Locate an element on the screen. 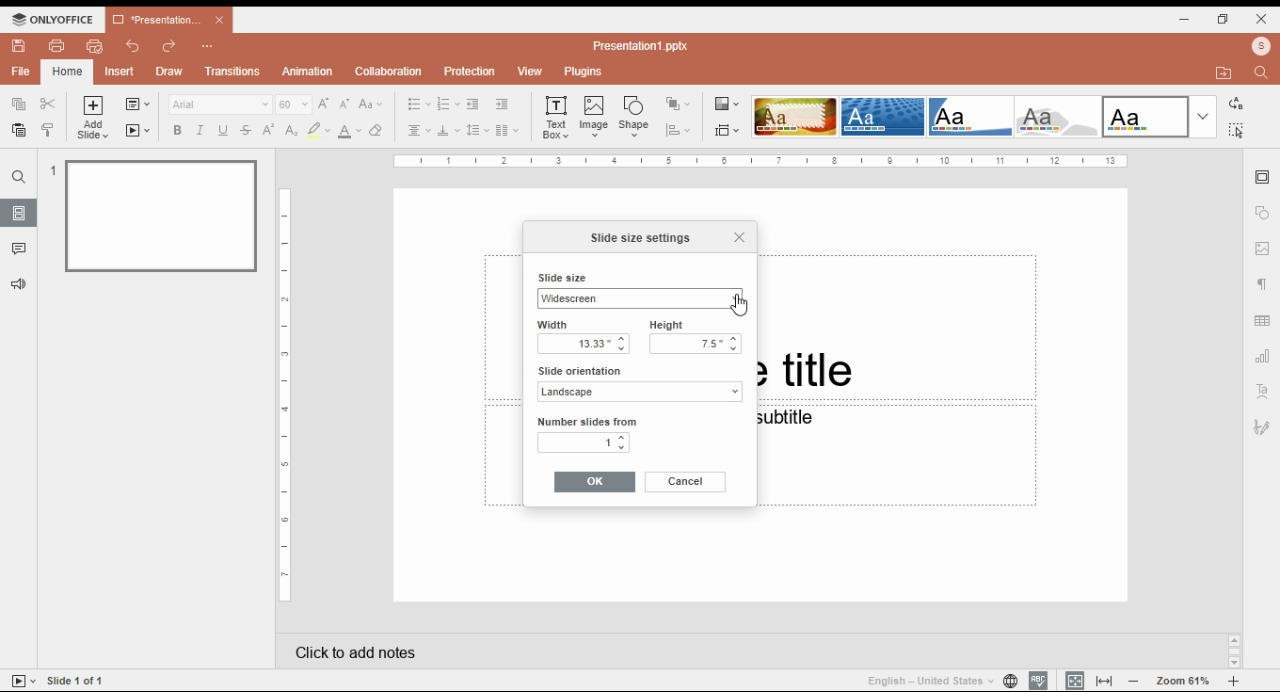  save is located at coordinates (18, 46).